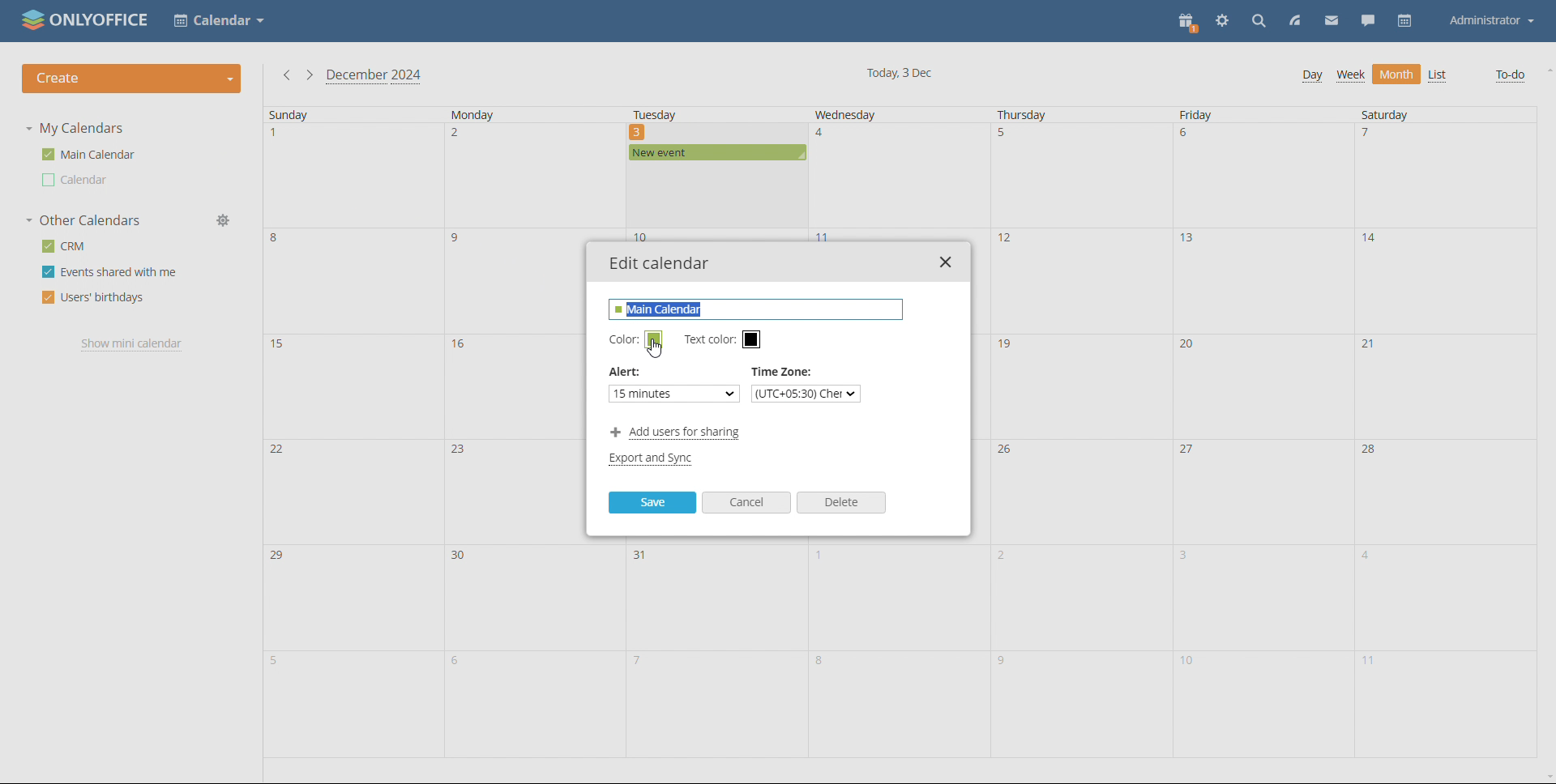  I want to click on color, so click(622, 340).